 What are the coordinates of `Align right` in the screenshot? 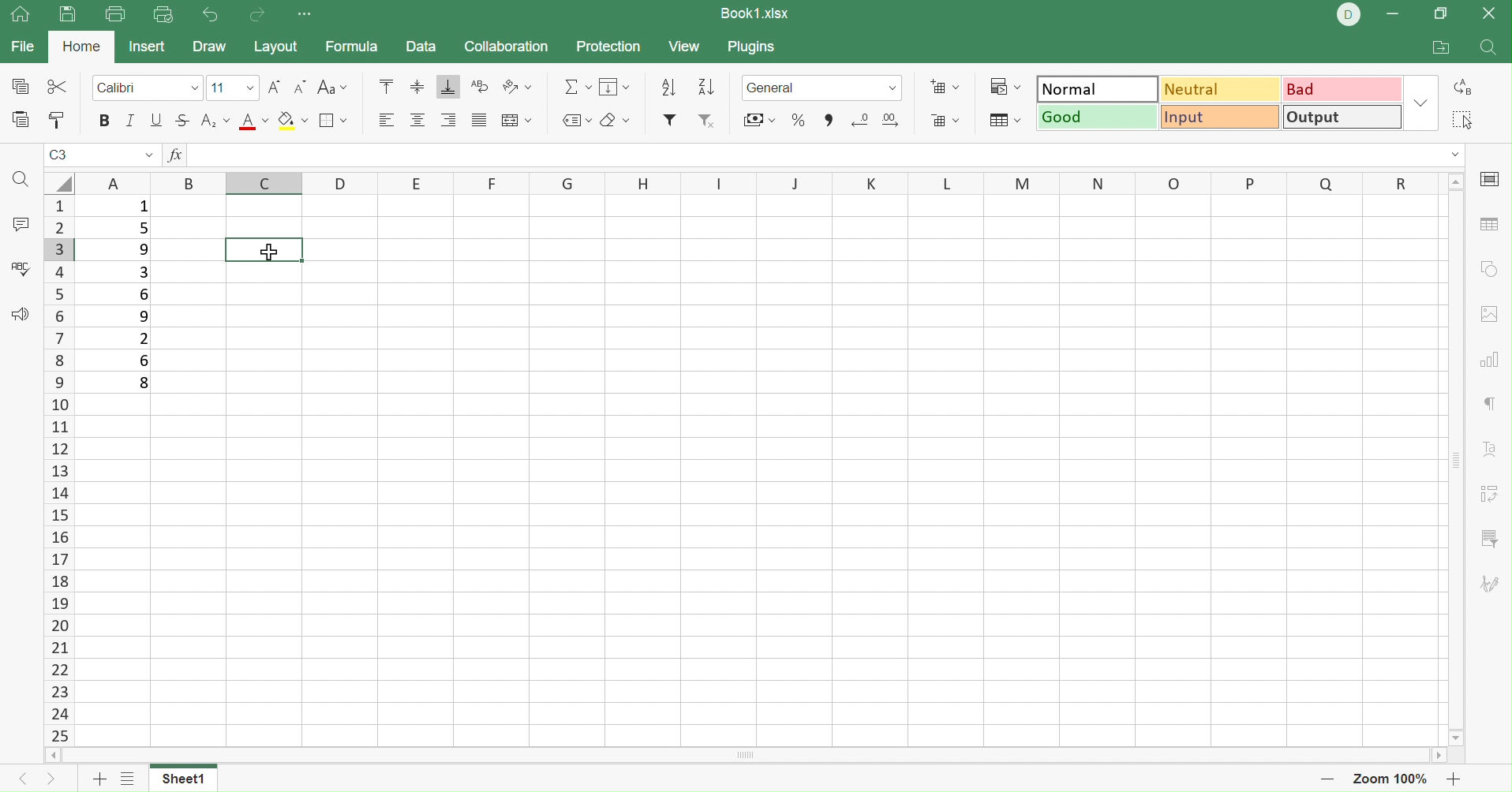 It's located at (449, 121).